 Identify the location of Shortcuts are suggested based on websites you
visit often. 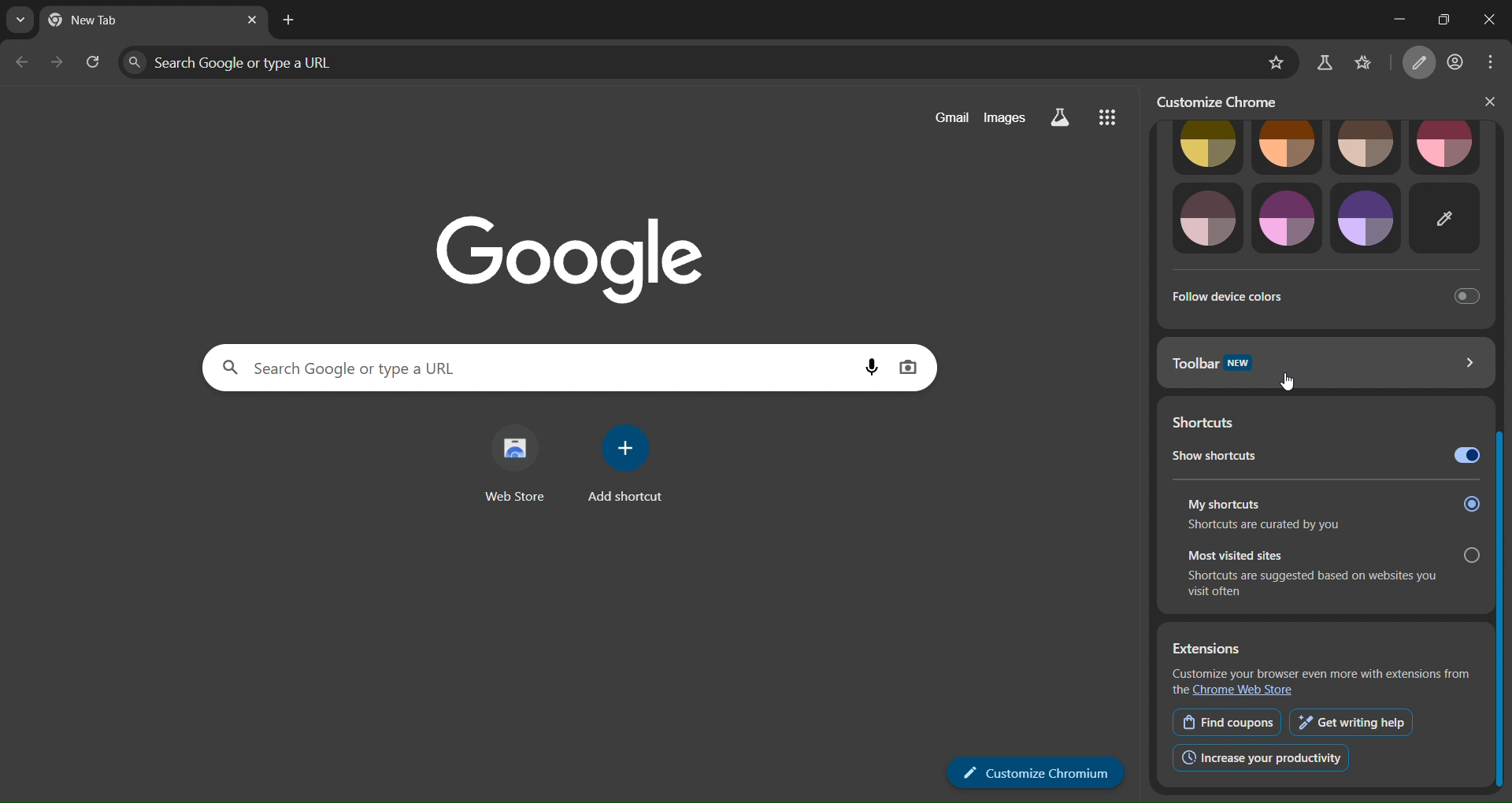
(1308, 586).